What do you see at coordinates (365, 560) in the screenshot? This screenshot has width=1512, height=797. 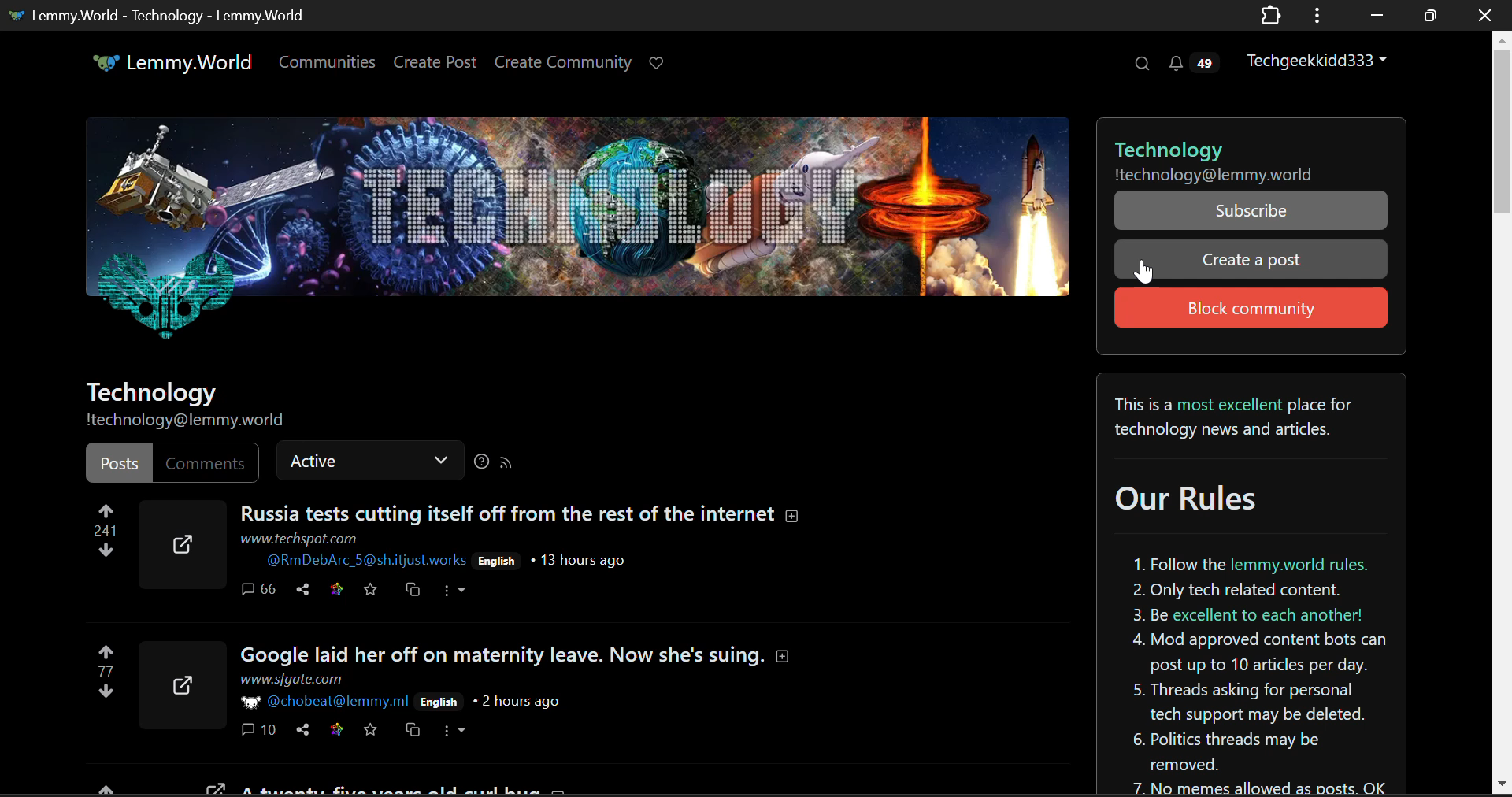 I see `@RmDebArc_3@sh.itjust.works` at bounding box center [365, 560].